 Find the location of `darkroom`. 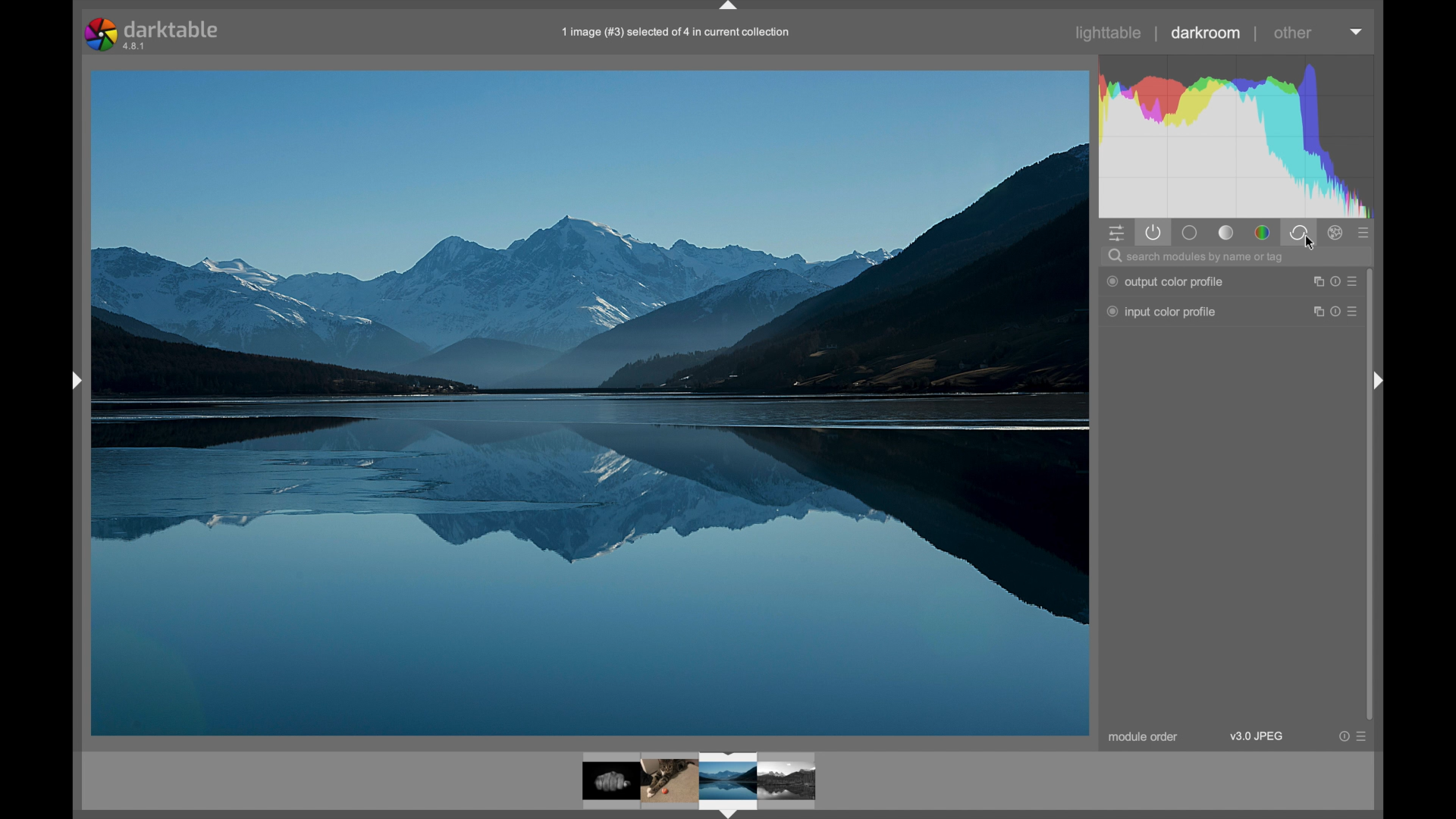

darkroom is located at coordinates (1206, 33).